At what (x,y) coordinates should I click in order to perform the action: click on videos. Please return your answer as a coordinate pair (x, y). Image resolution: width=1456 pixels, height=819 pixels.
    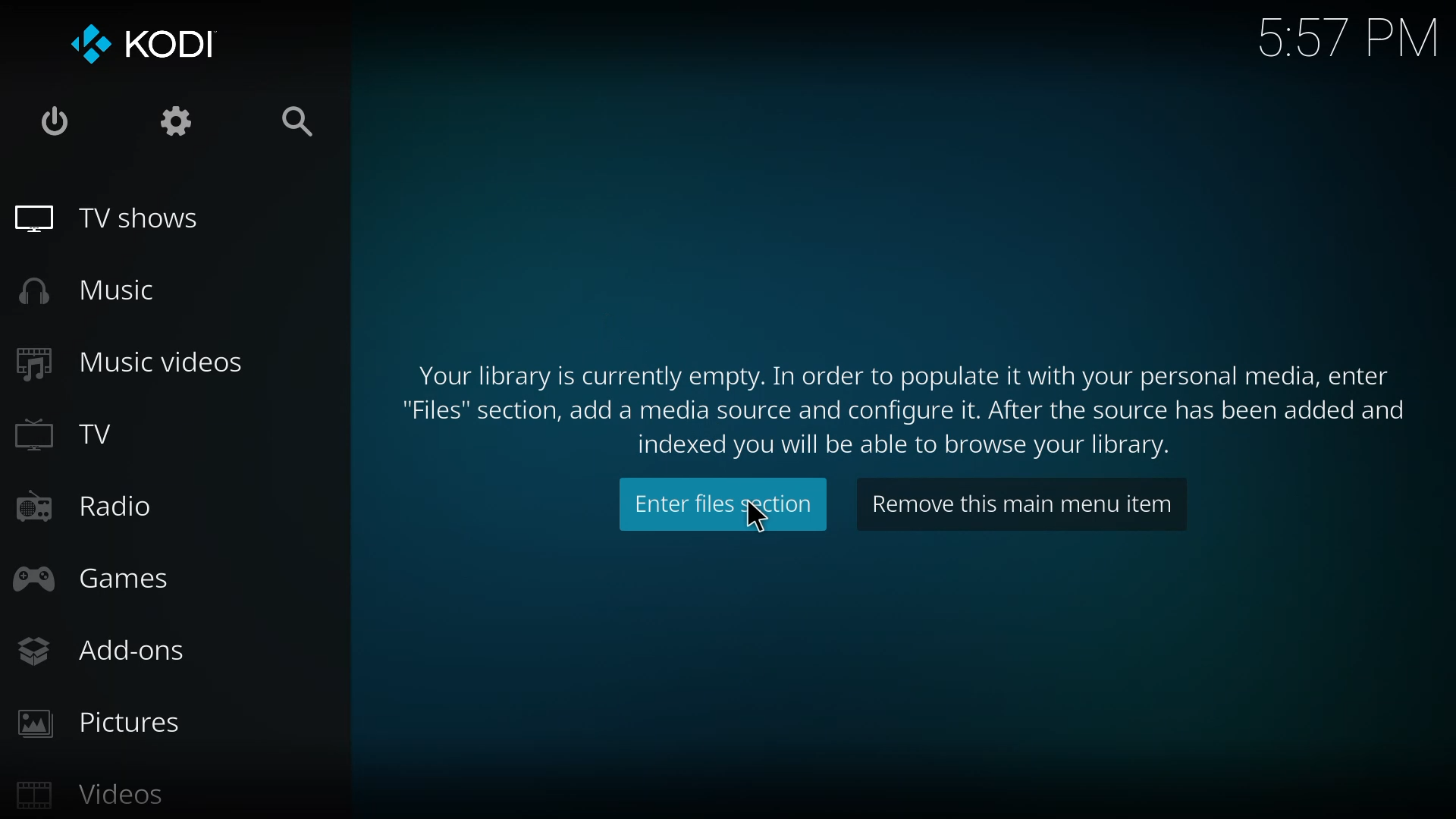
    Looking at the image, I should click on (99, 795).